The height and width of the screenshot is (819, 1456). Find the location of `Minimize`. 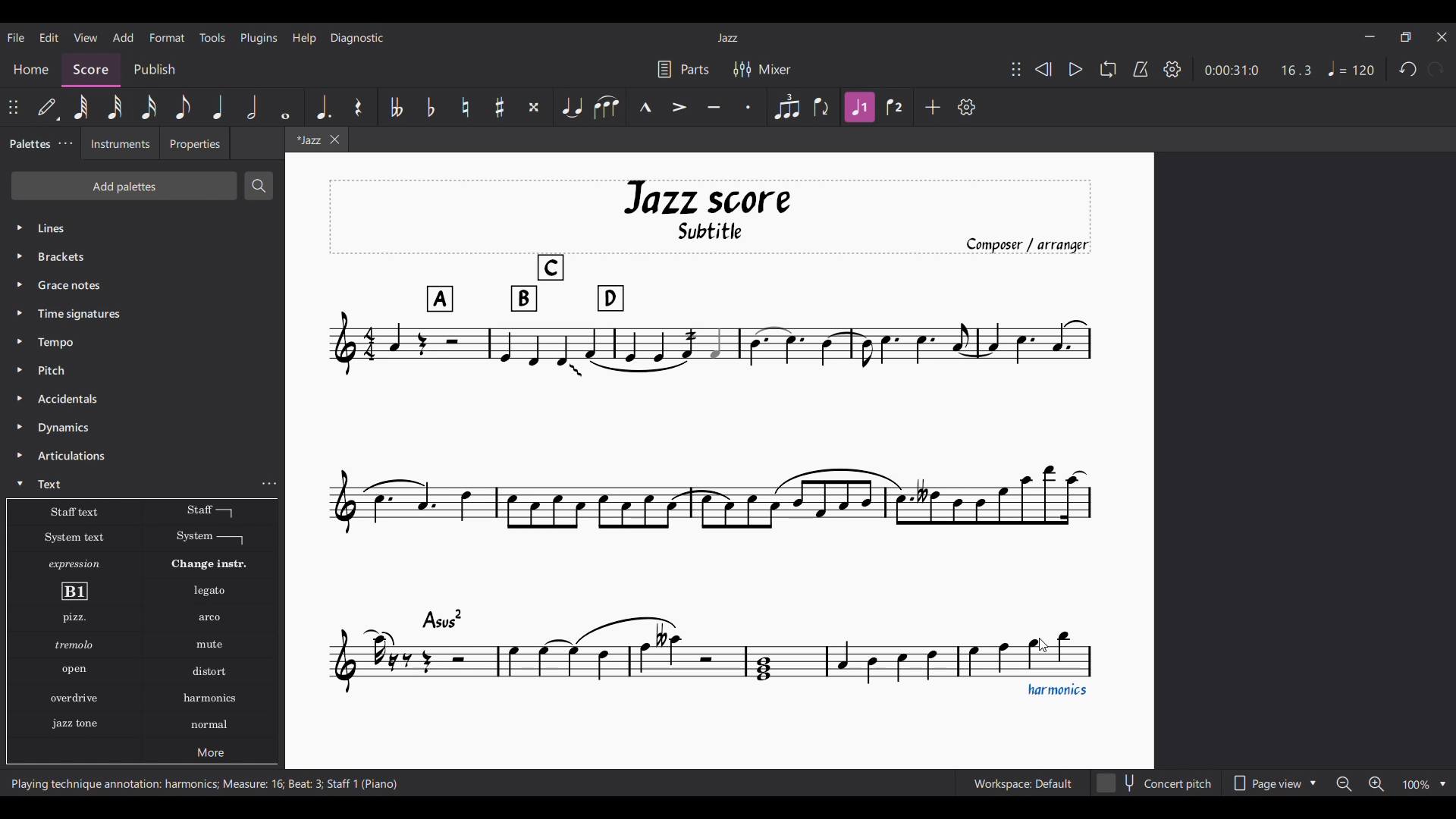

Minimize is located at coordinates (1370, 36).